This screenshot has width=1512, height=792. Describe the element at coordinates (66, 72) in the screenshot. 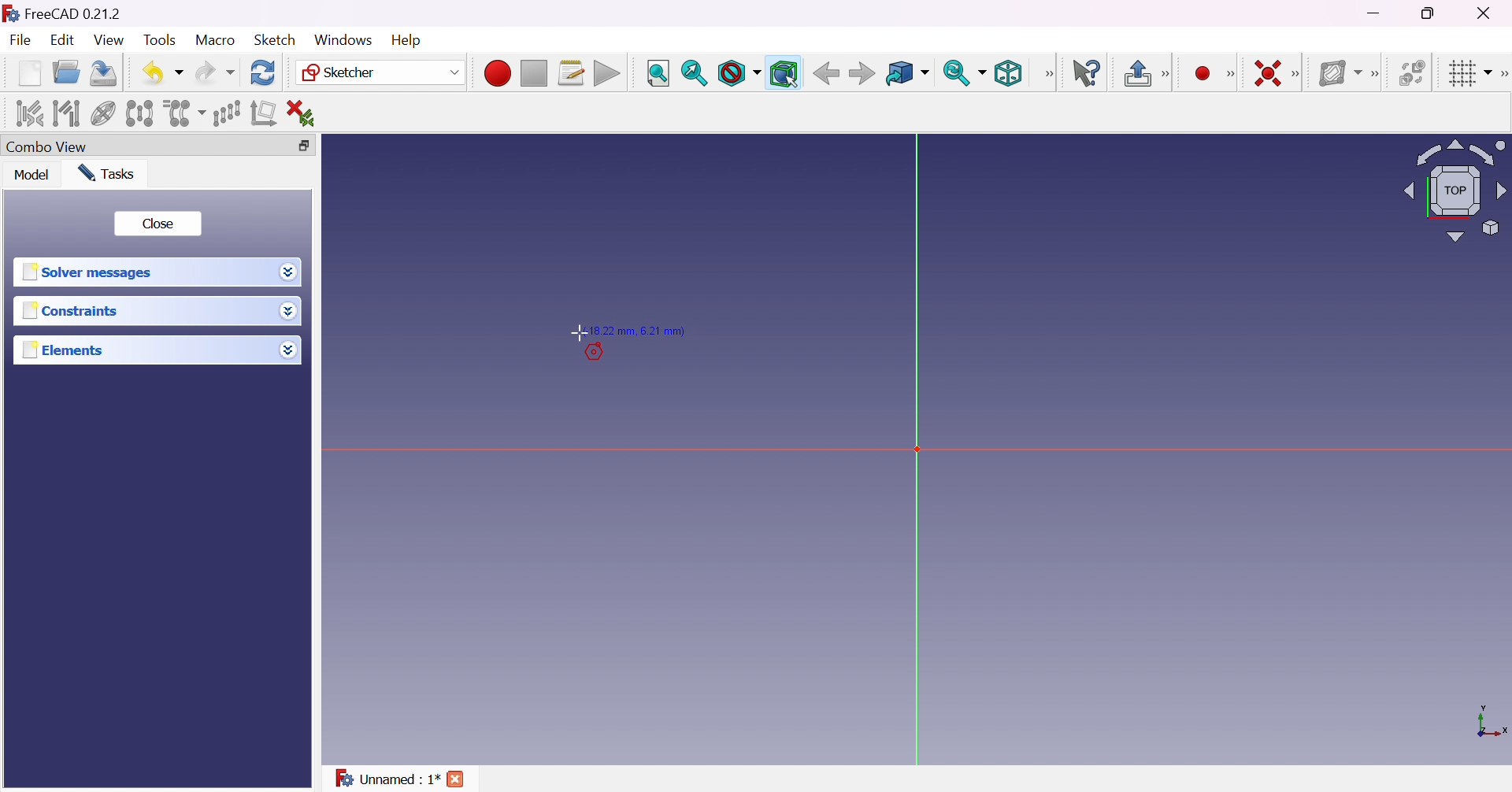

I see `Open` at that location.